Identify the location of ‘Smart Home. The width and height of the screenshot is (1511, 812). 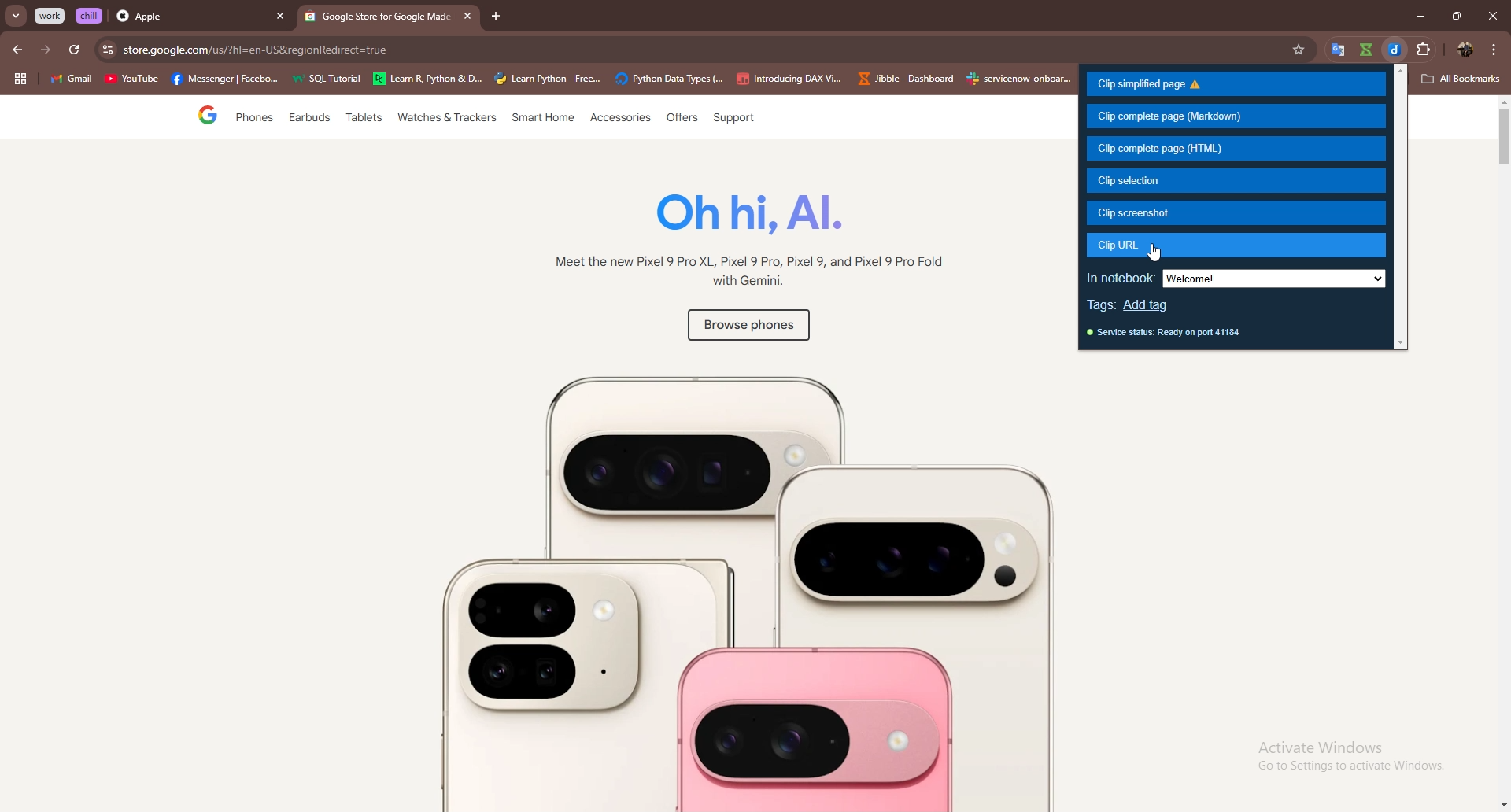
(544, 119).